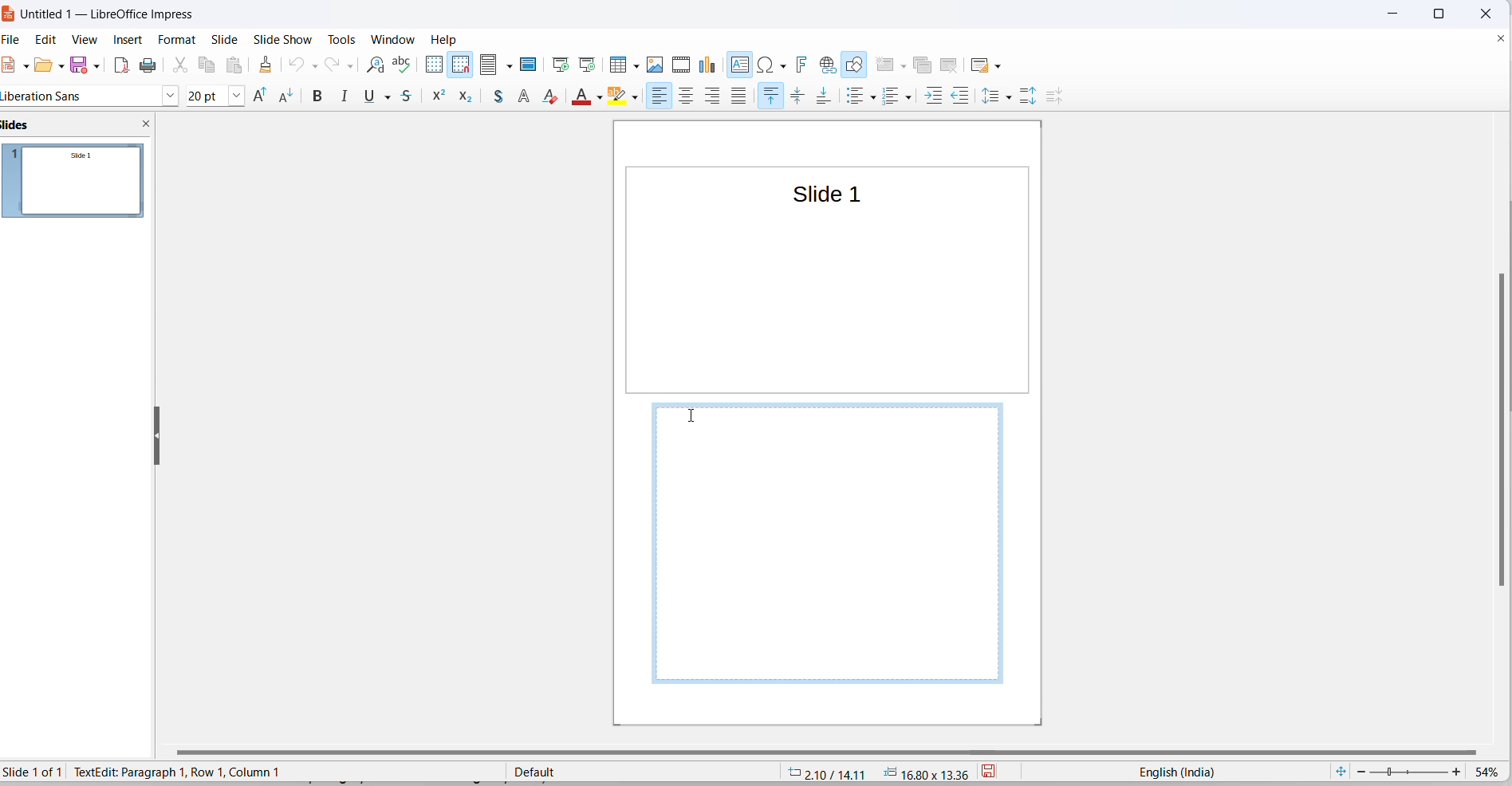 The height and width of the screenshot is (786, 1512). Describe the element at coordinates (925, 65) in the screenshot. I see `duplicate slide` at that location.